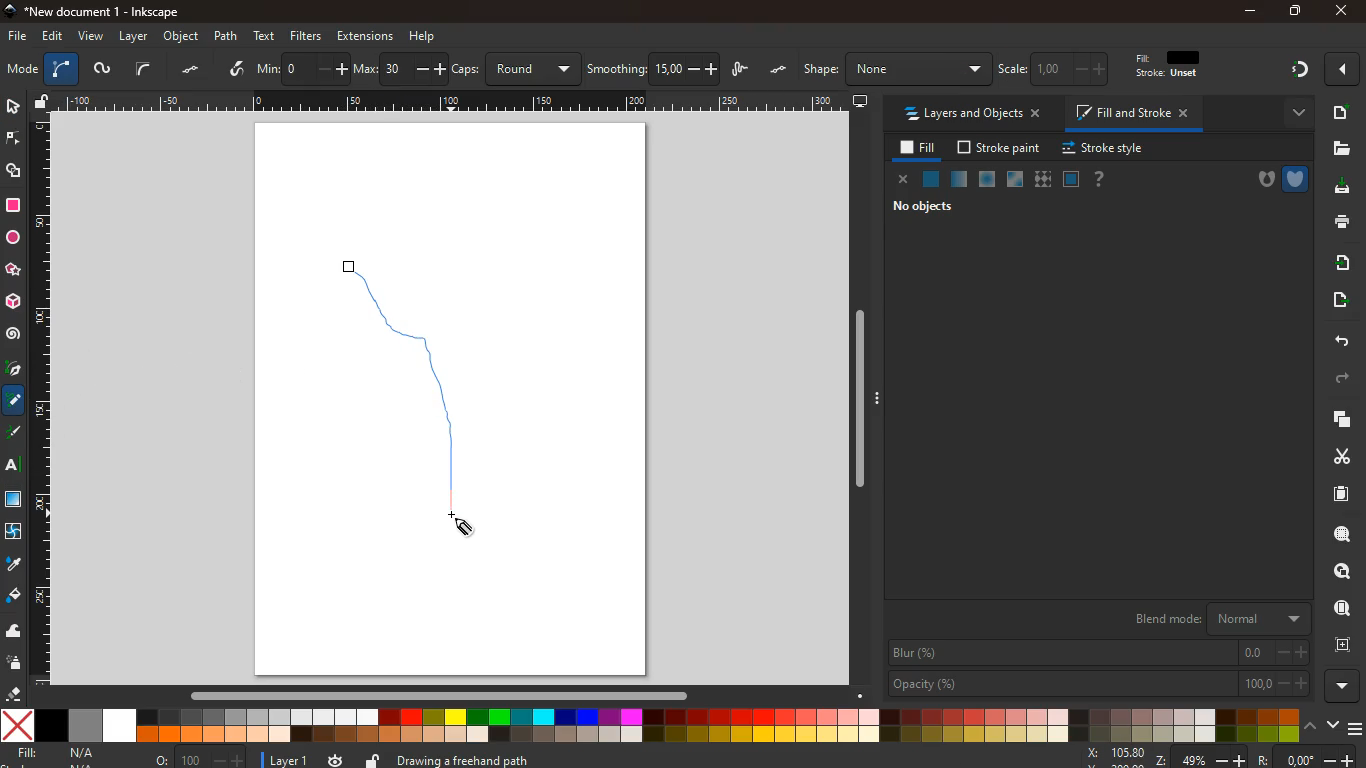 This screenshot has width=1366, height=768. Describe the element at coordinates (18, 465) in the screenshot. I see `Text tool` at that location.